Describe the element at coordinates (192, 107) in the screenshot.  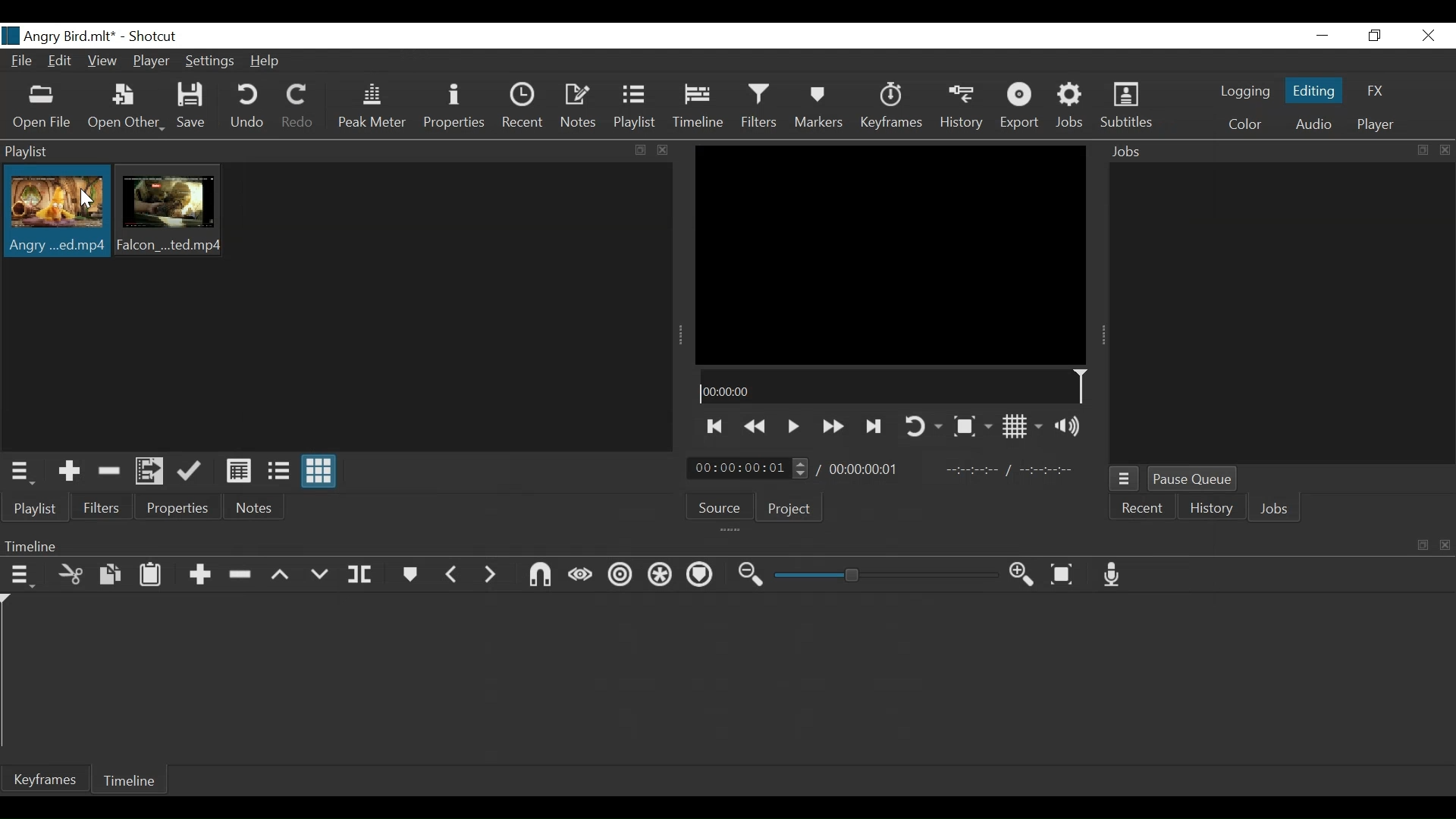
I see `Save` at that location.